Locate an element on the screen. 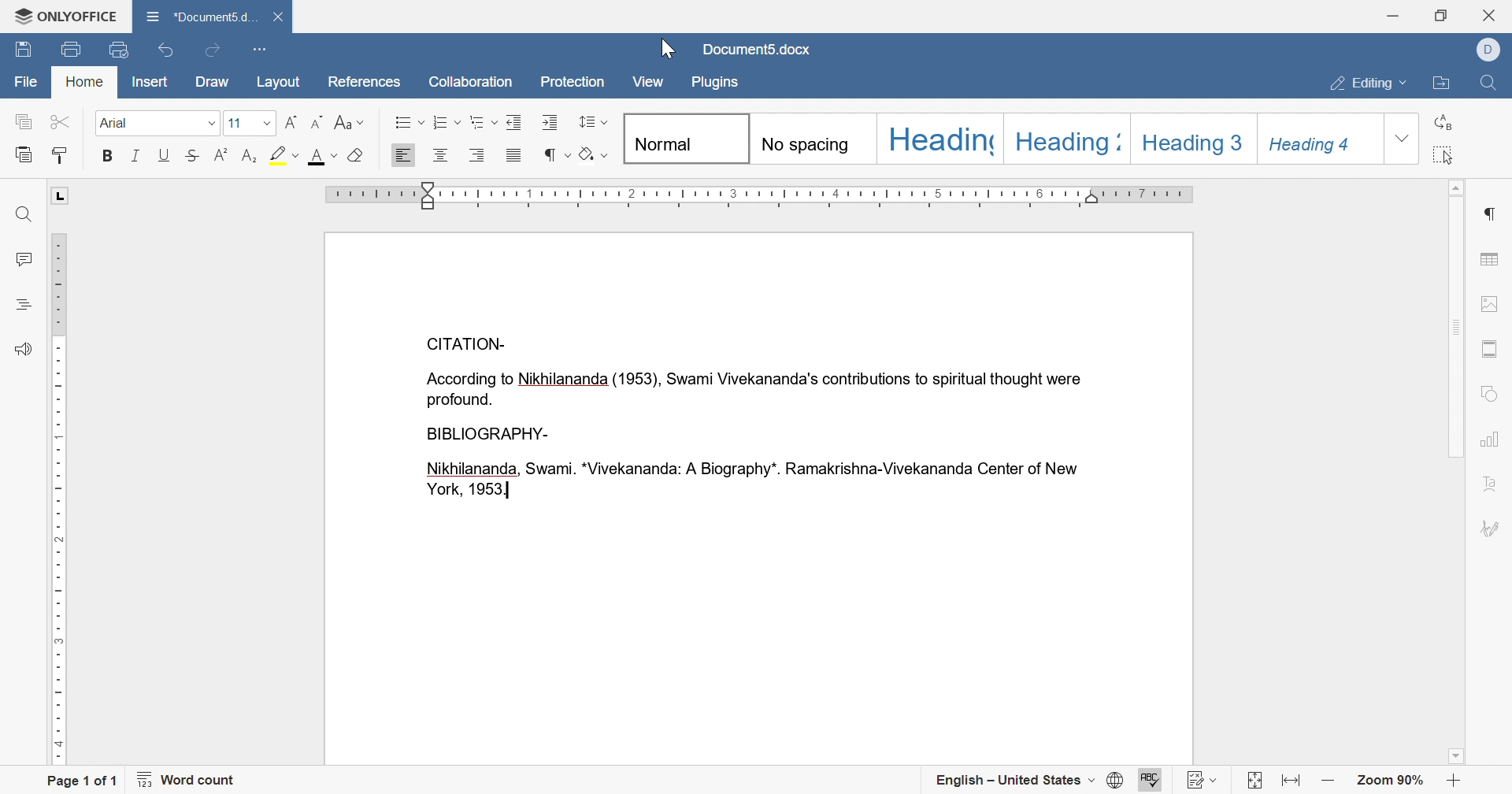  L is located at coordinates (60, 196).